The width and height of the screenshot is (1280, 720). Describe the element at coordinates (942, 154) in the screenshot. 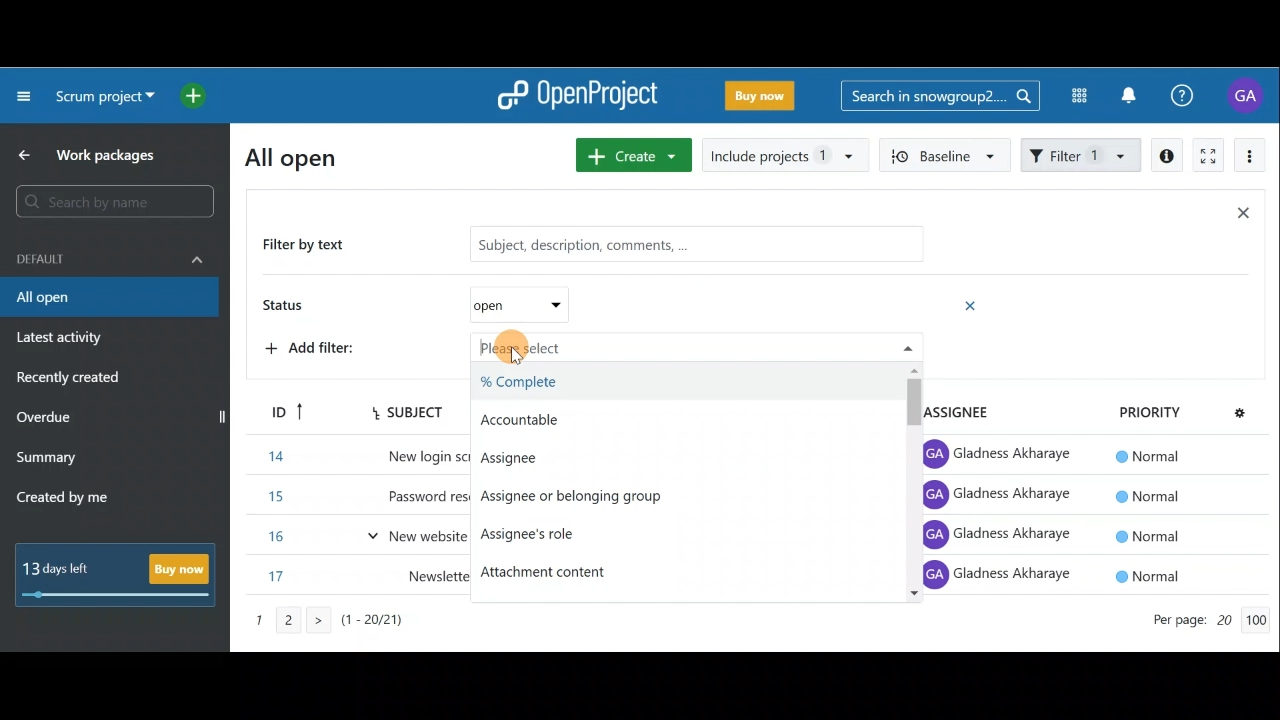

I see `Baseline` at that location.